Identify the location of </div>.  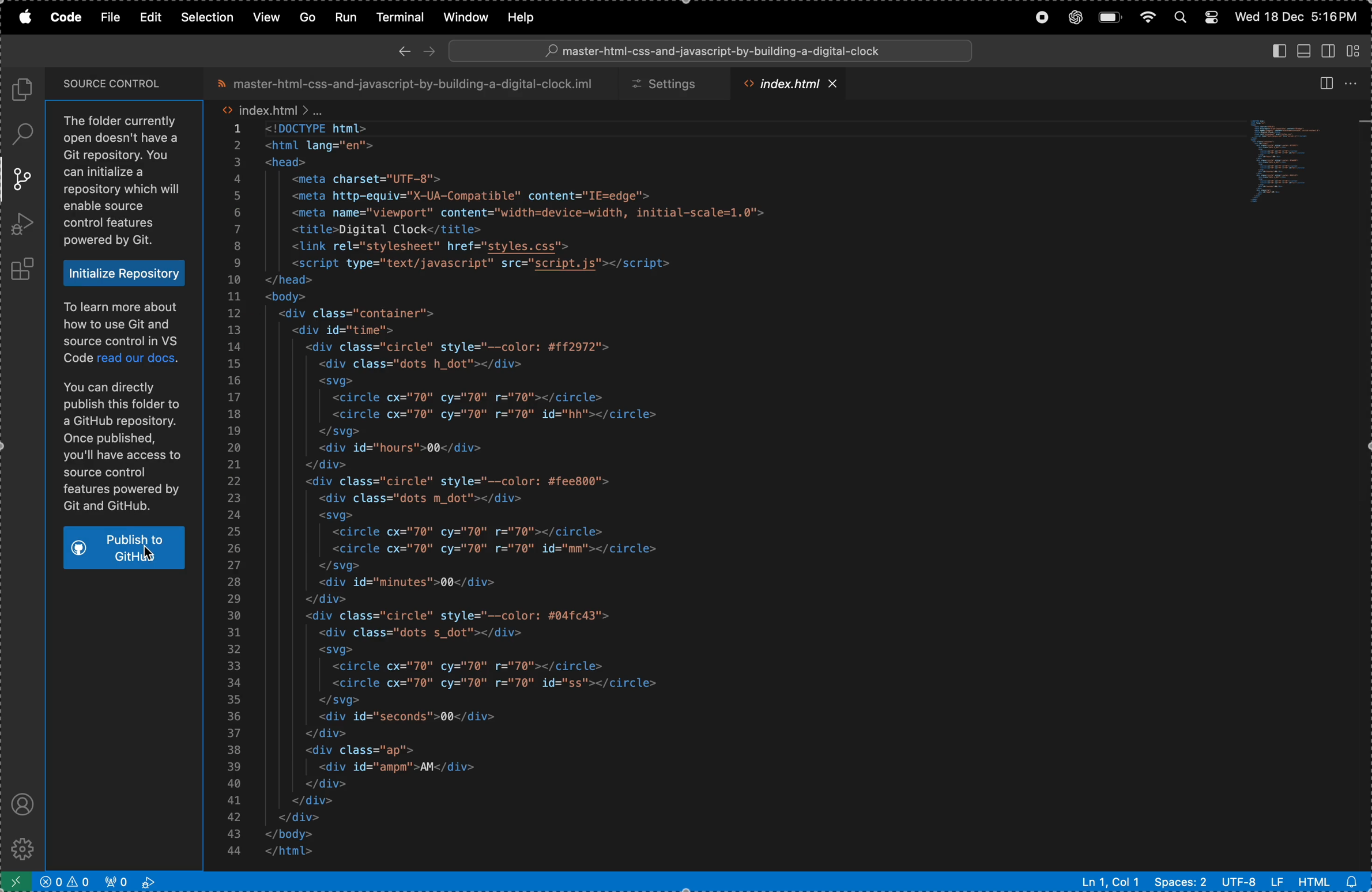
(326, 734).